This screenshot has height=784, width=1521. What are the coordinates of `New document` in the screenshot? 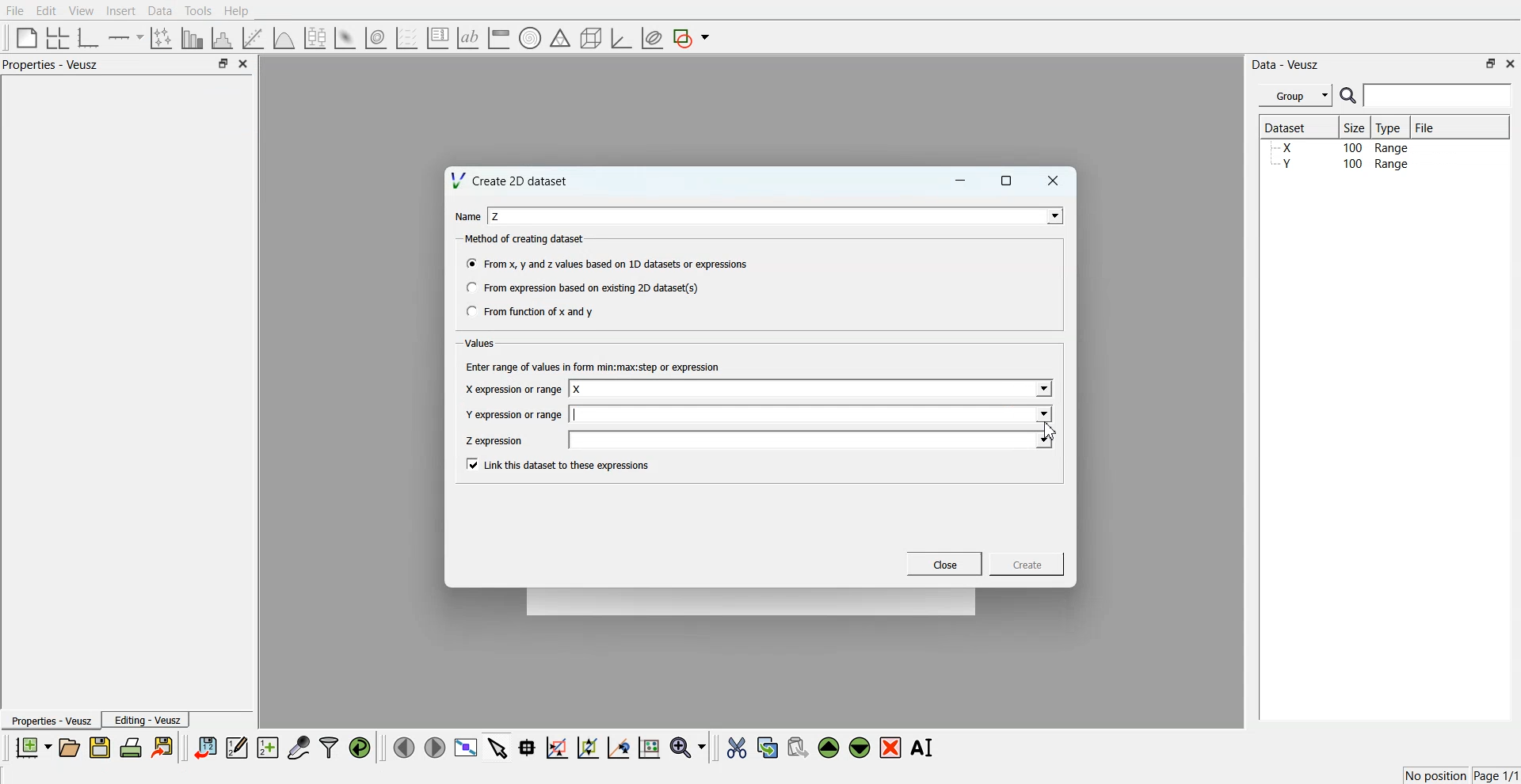 It's located at (32, 747).